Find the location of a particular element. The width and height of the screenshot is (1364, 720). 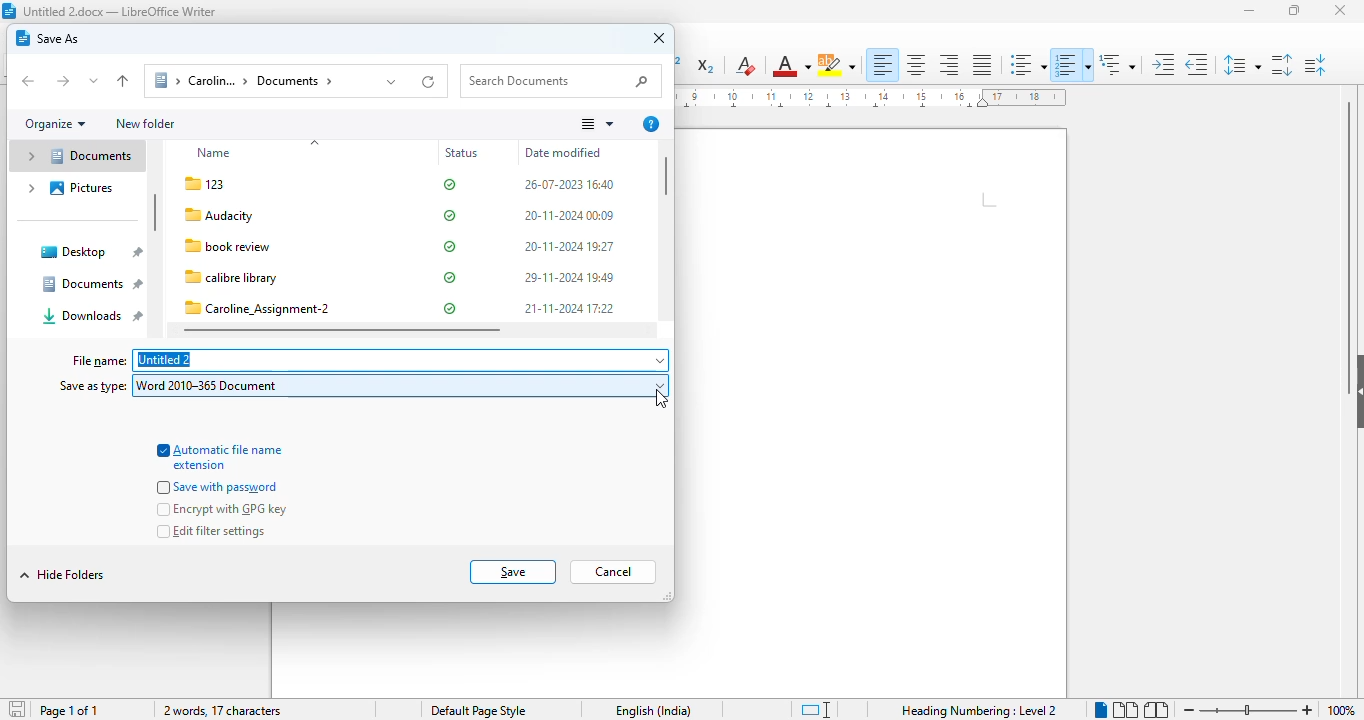

vertical scroll bar is located at coordinates (155, 213).